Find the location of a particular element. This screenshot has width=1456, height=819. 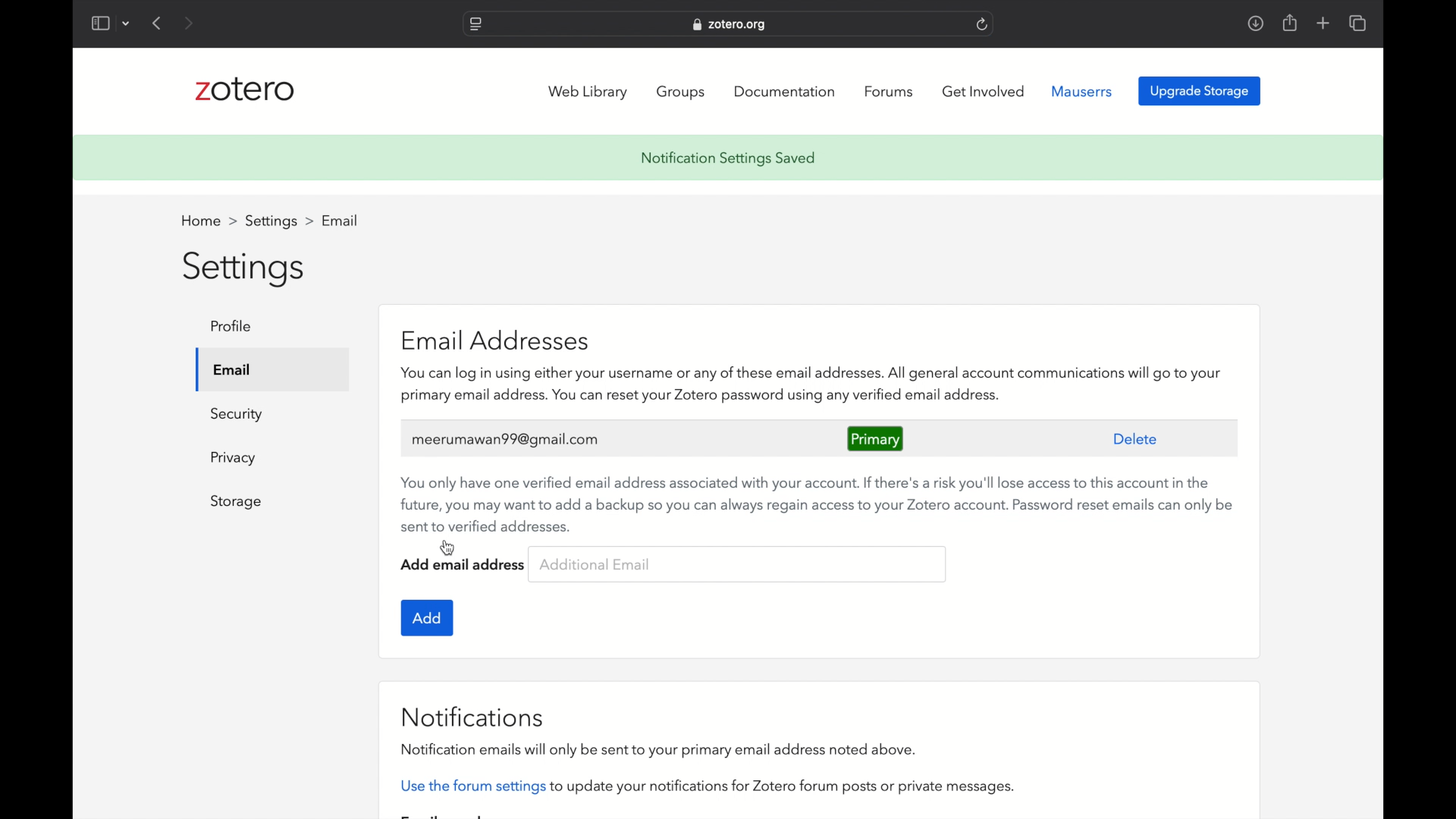

share is located at coordinates (1288, 22).